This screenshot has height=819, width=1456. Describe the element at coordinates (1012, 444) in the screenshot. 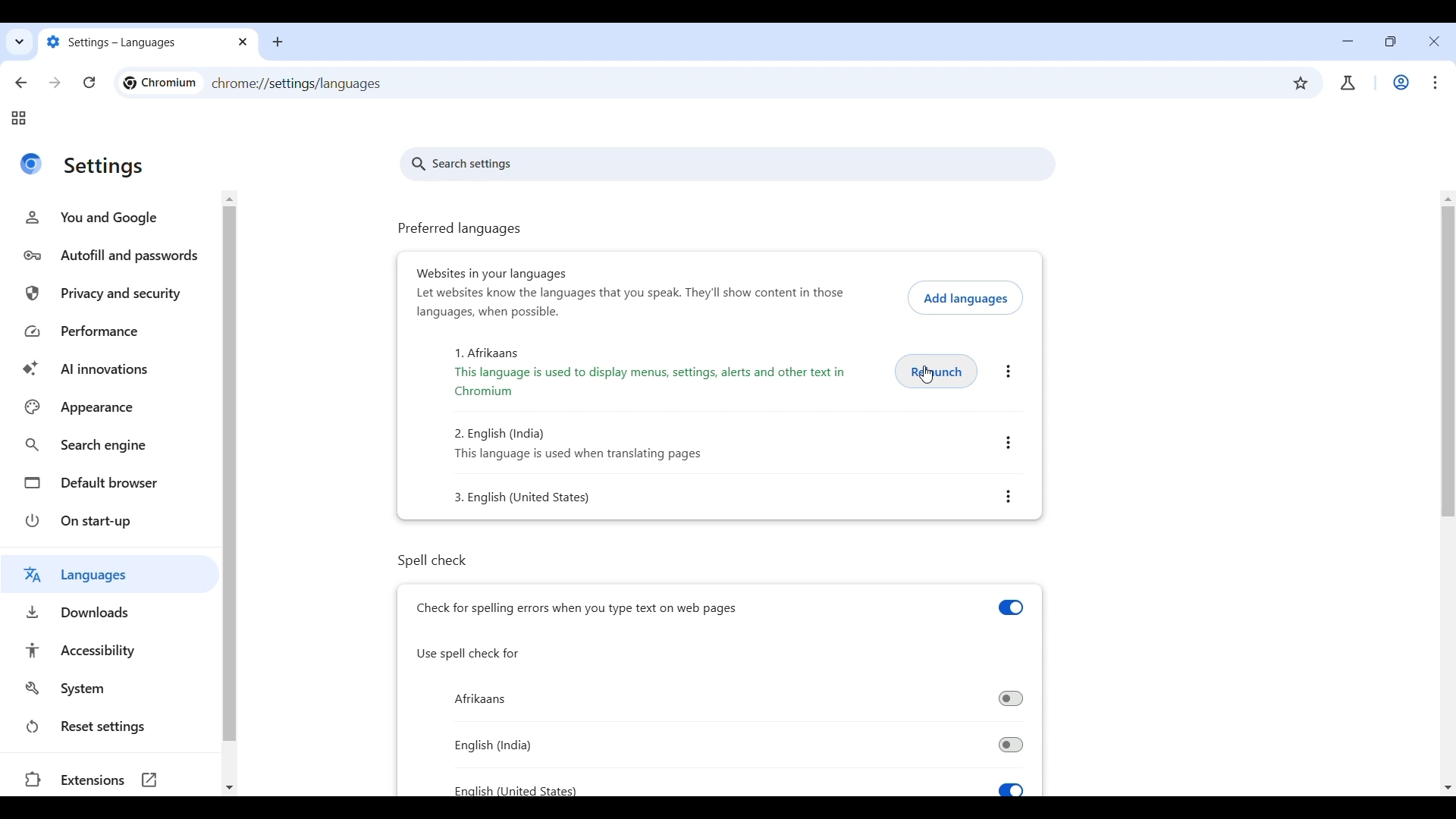

I see `more options` at that location.